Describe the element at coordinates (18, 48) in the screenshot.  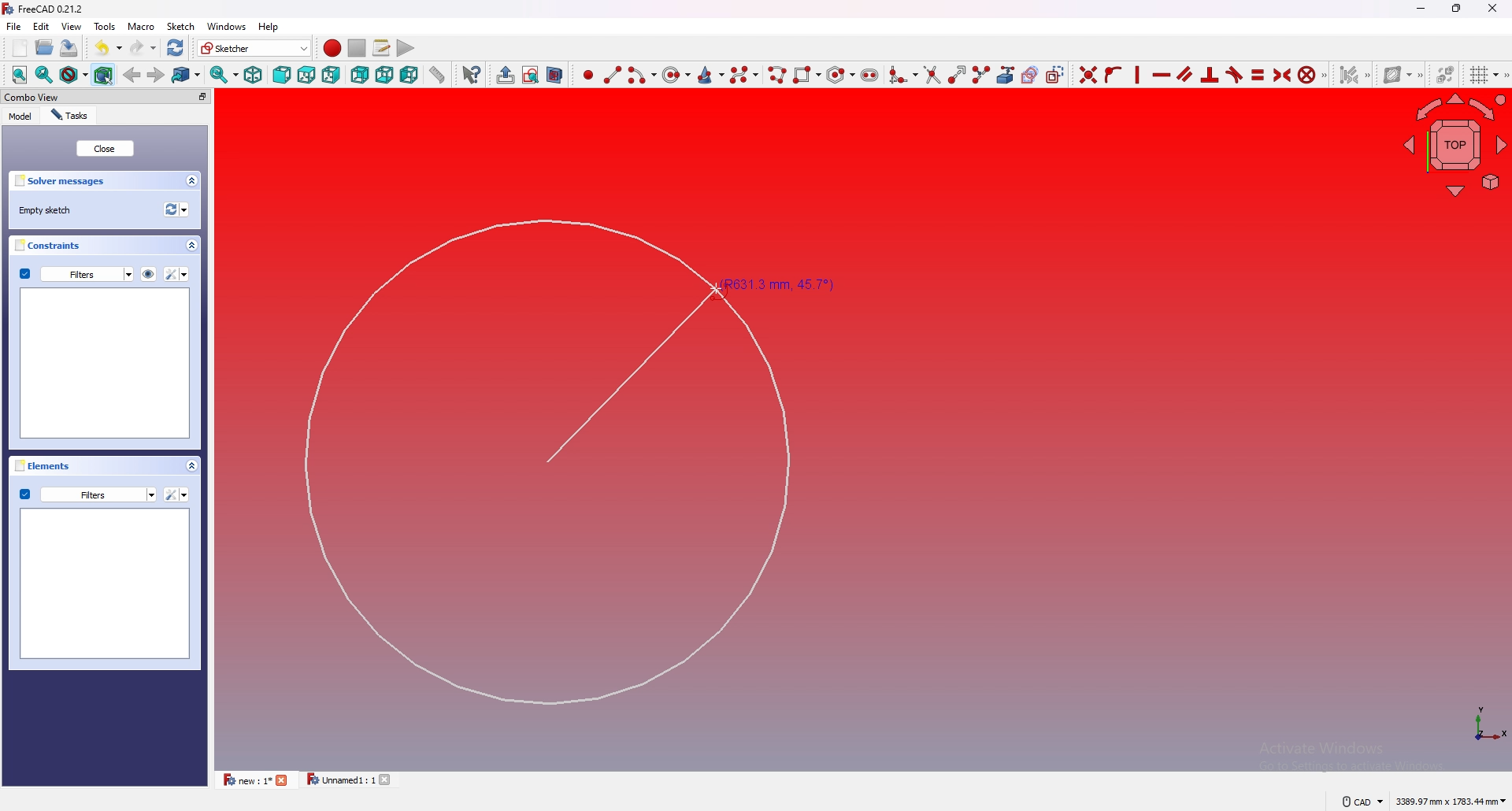
I see `new` at that location.